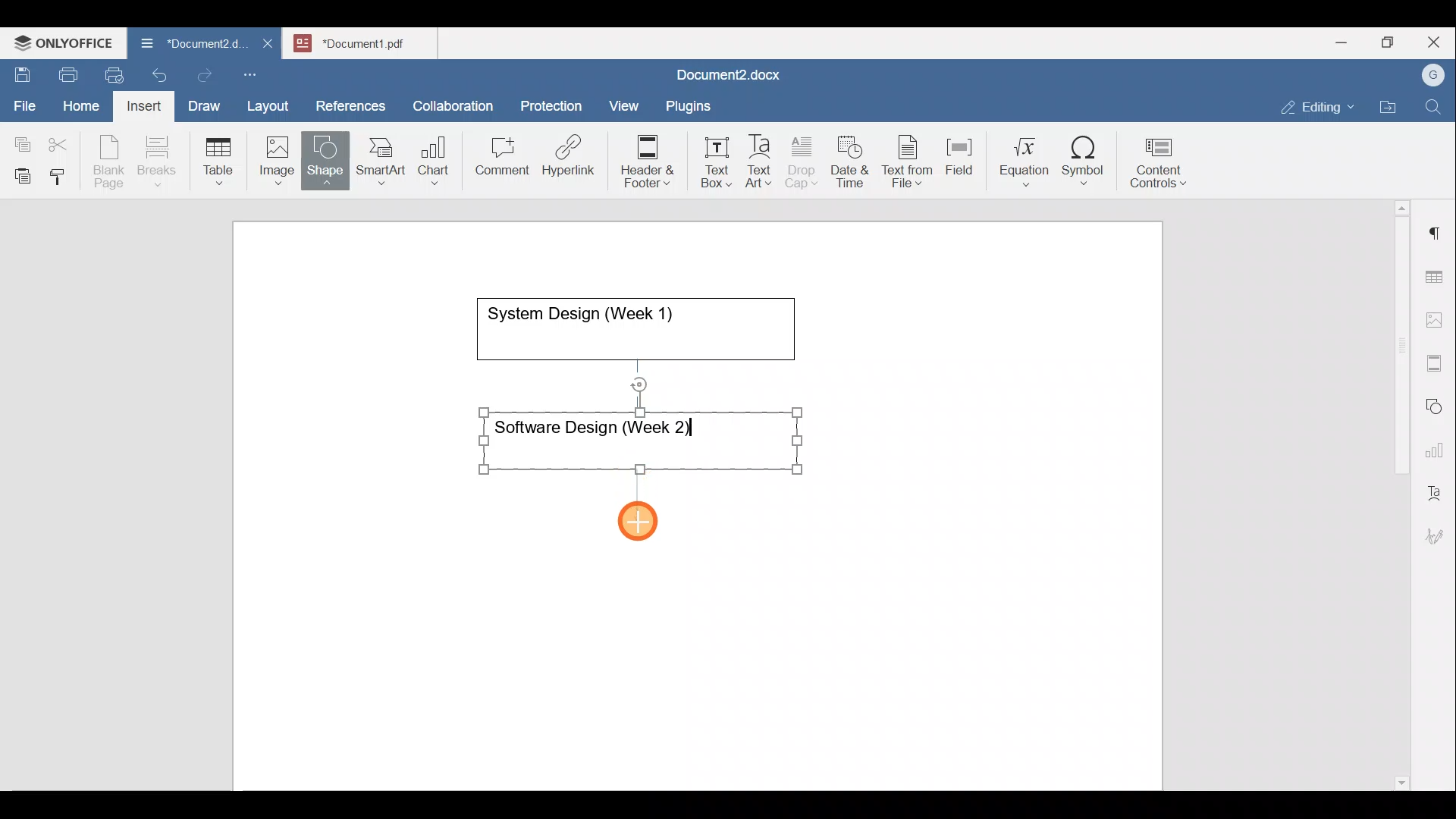 This screenshot has height=819, width=1456. Describe the element at coordinates (625, 101) in the screenshot. I see `View` at that location.